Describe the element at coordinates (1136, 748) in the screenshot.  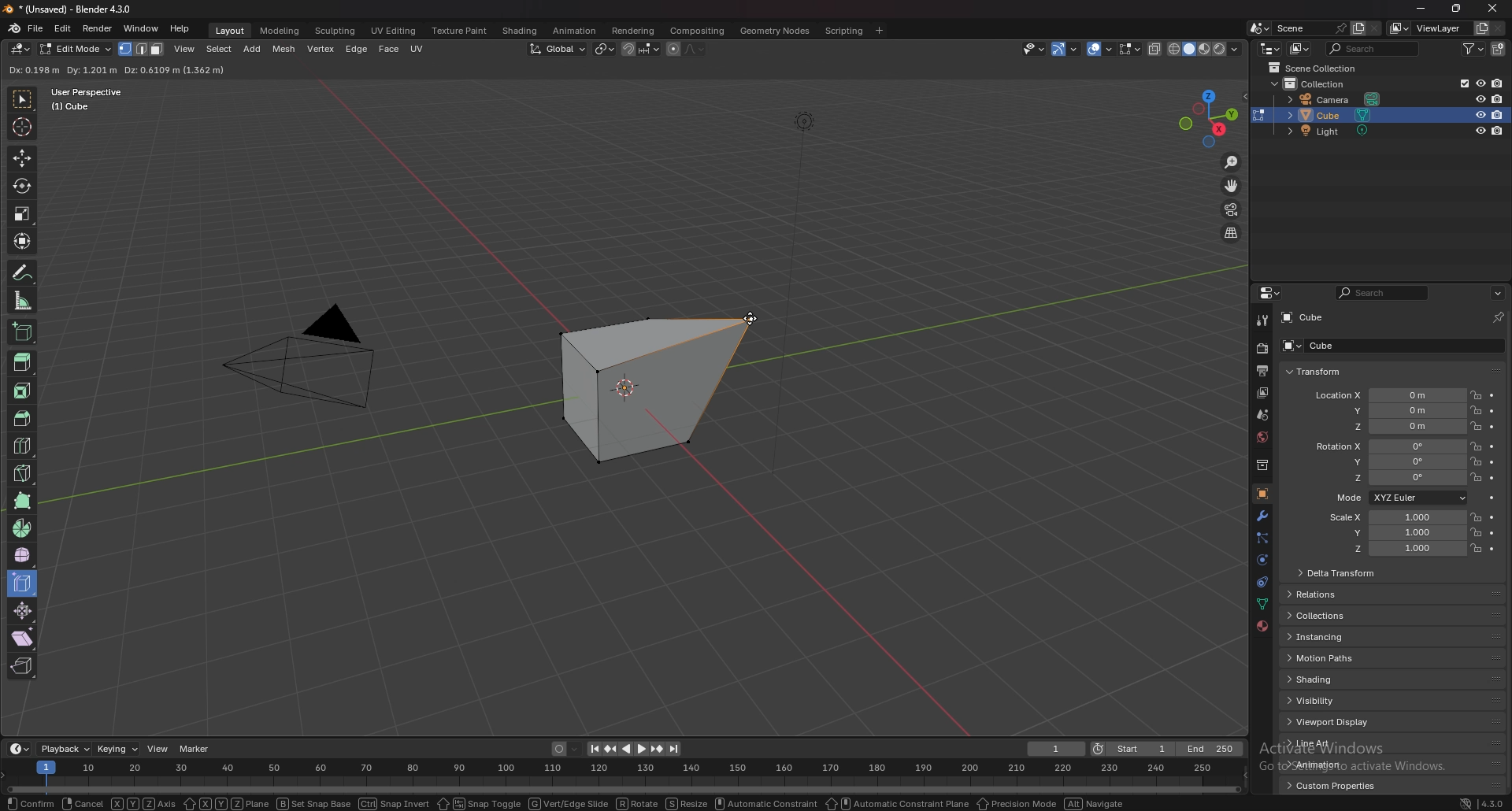
I see `start frame` at that location.